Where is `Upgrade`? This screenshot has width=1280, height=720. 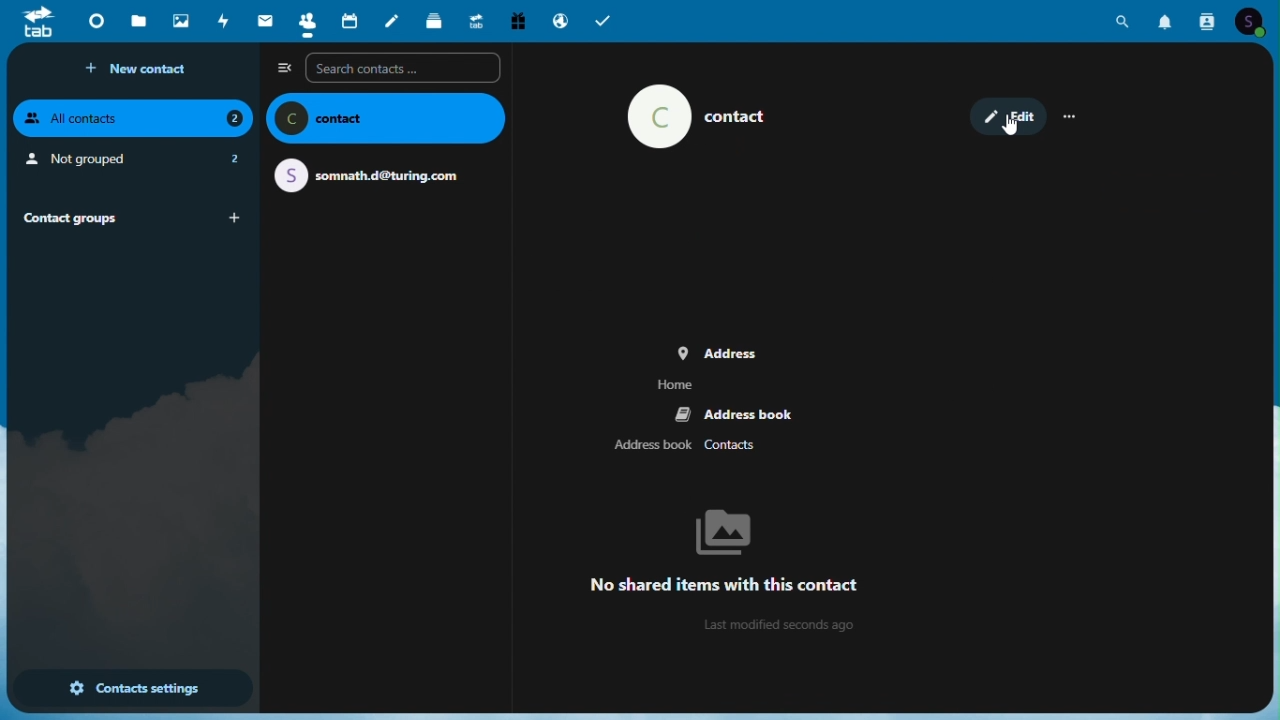 Upgrade is located at coordinates (476, 19).